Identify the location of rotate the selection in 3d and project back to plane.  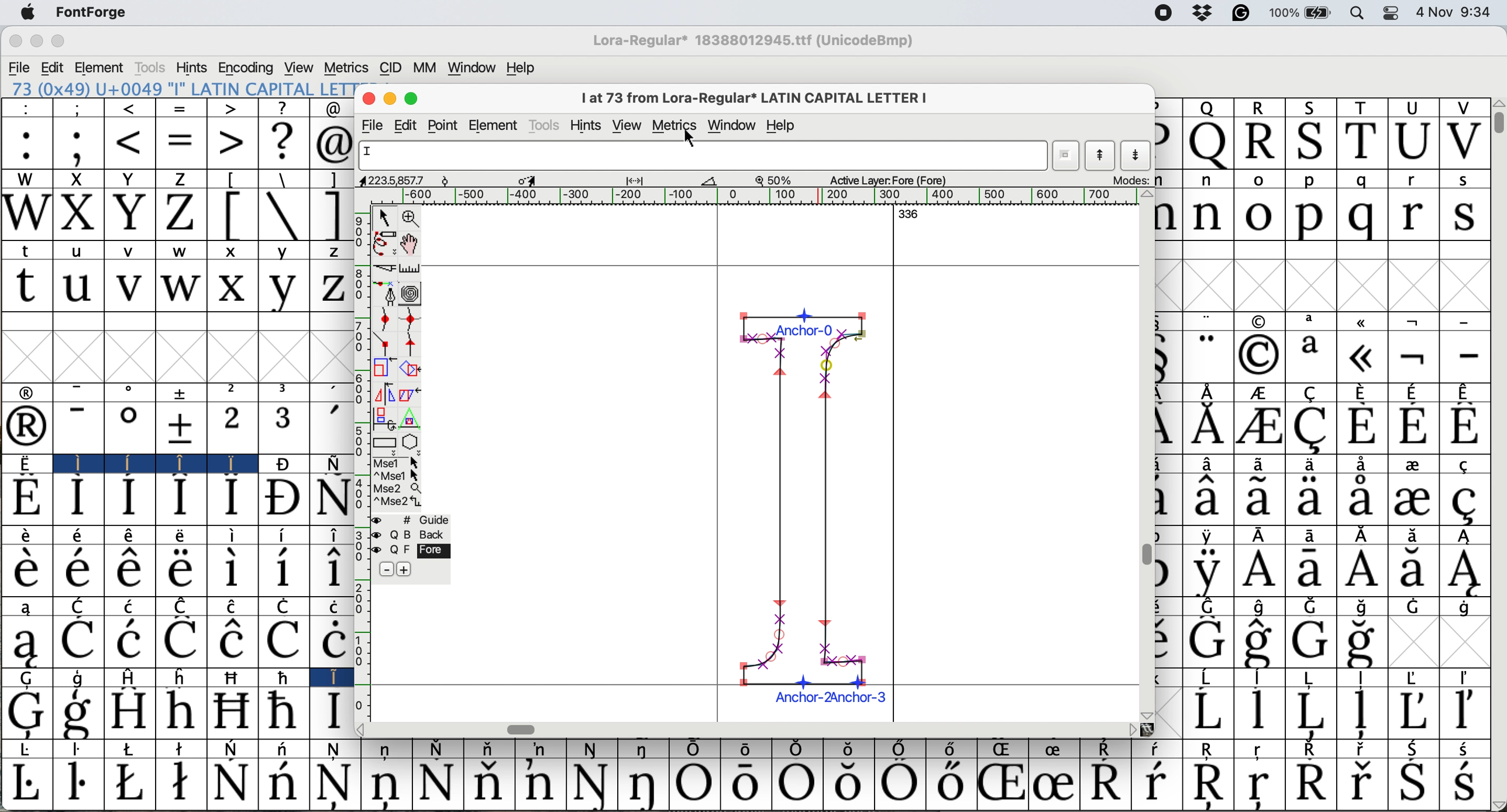
(384, 417).